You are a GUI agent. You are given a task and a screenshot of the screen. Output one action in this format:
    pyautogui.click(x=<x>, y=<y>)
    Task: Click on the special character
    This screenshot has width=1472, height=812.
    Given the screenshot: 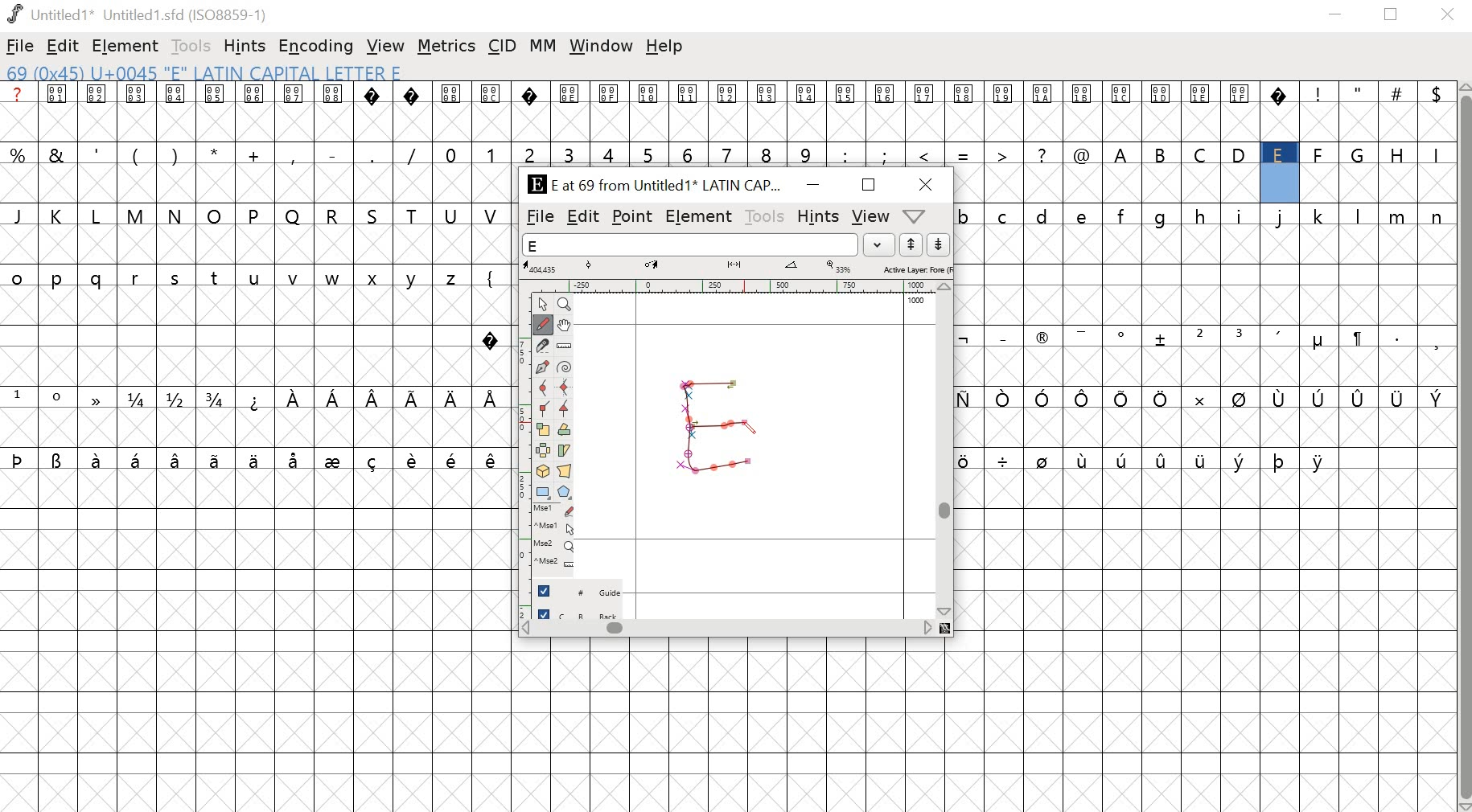 What is the action you would take?
    pyautogui.click(x=495, y=336)
    